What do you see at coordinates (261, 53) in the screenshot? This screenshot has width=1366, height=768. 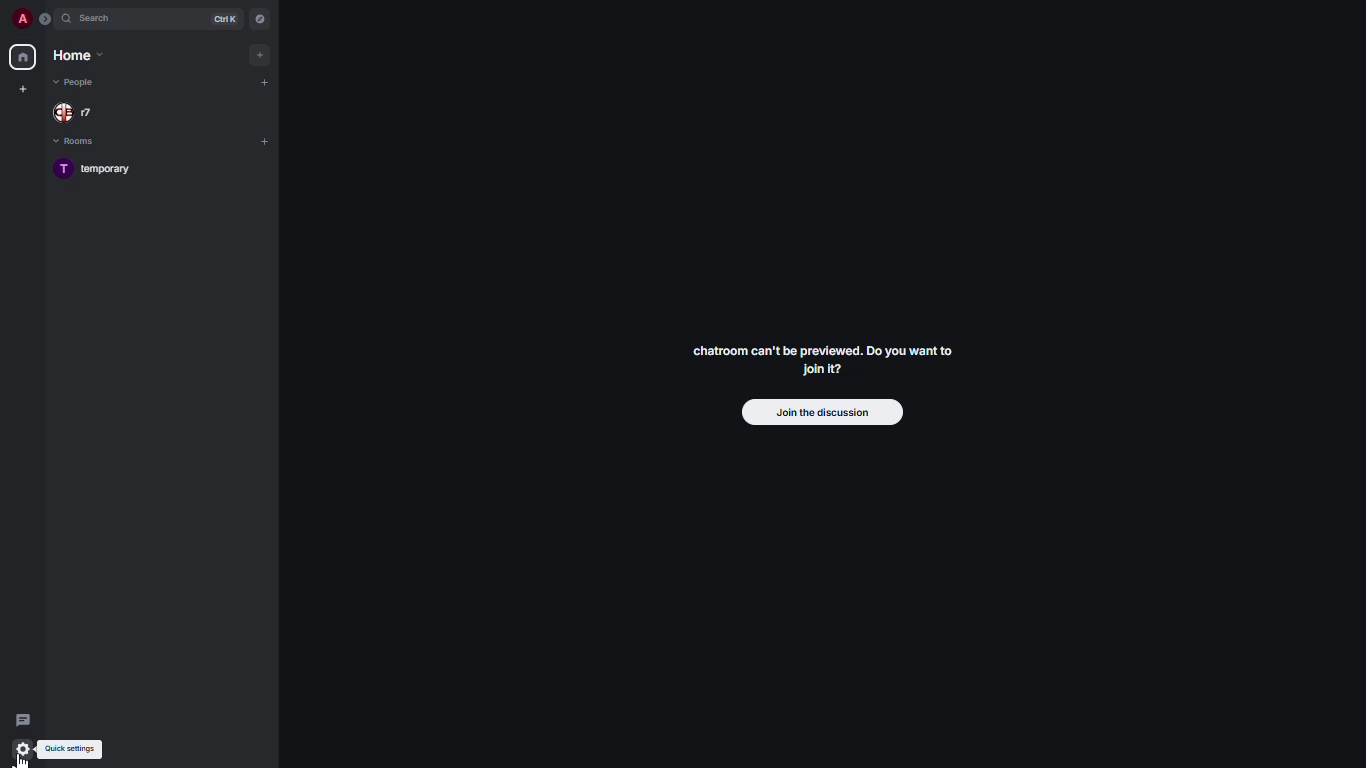 I see `add` at bounding box center [261, 53].